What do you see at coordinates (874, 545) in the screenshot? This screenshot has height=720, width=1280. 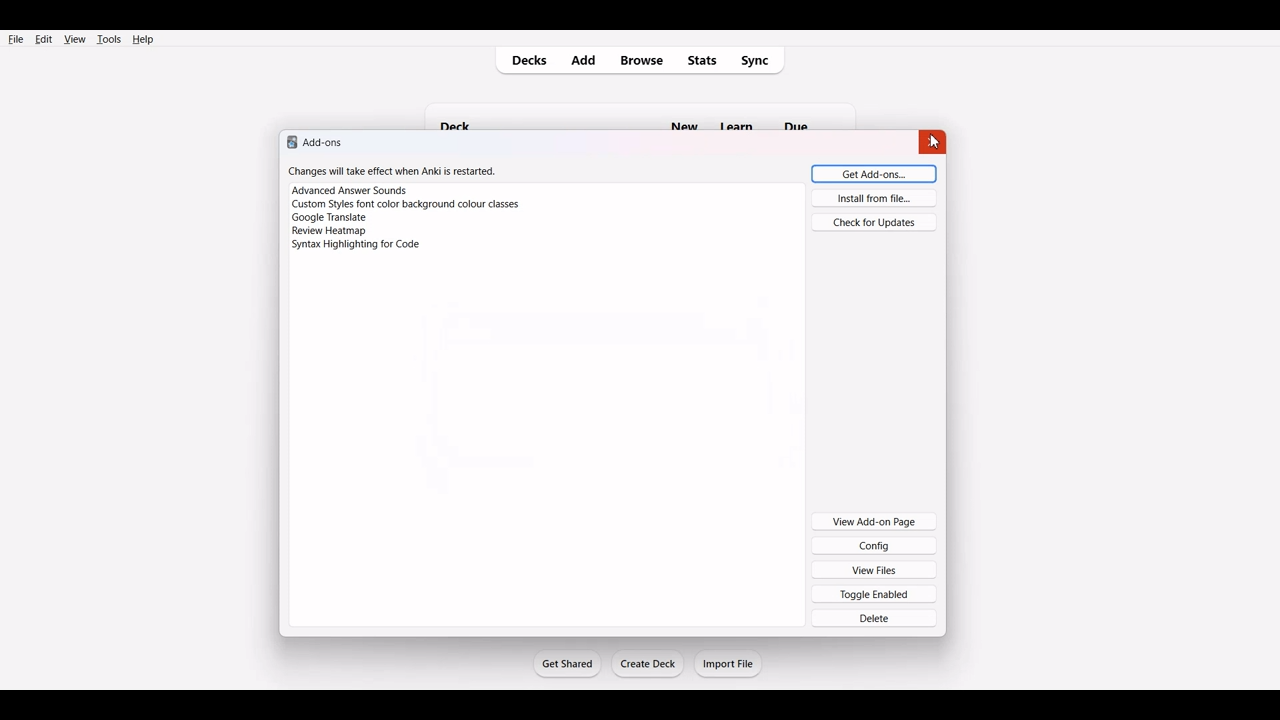 I see `Config` at bounding box center [874, 545].